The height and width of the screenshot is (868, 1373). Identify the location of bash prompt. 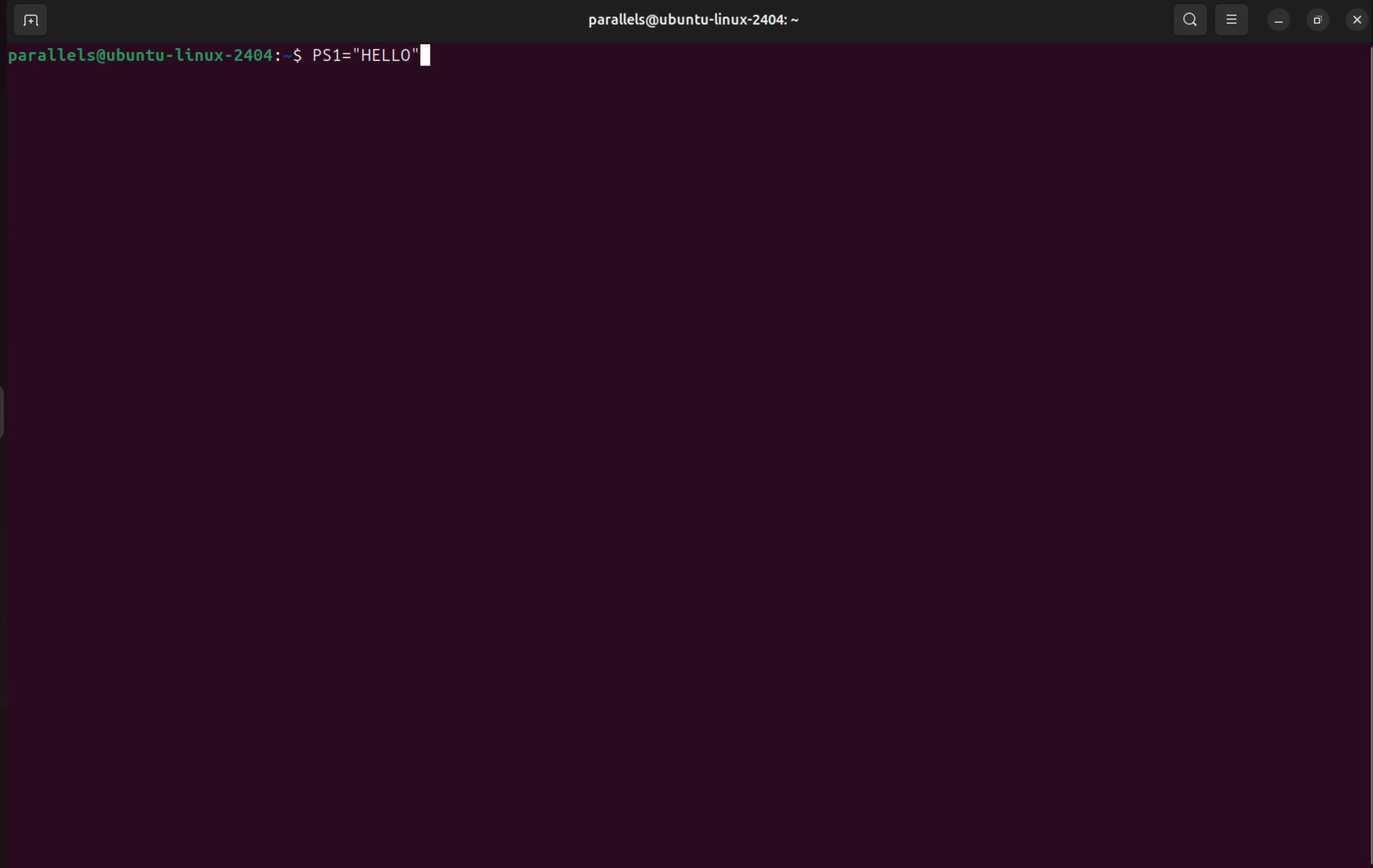
(154, 56).